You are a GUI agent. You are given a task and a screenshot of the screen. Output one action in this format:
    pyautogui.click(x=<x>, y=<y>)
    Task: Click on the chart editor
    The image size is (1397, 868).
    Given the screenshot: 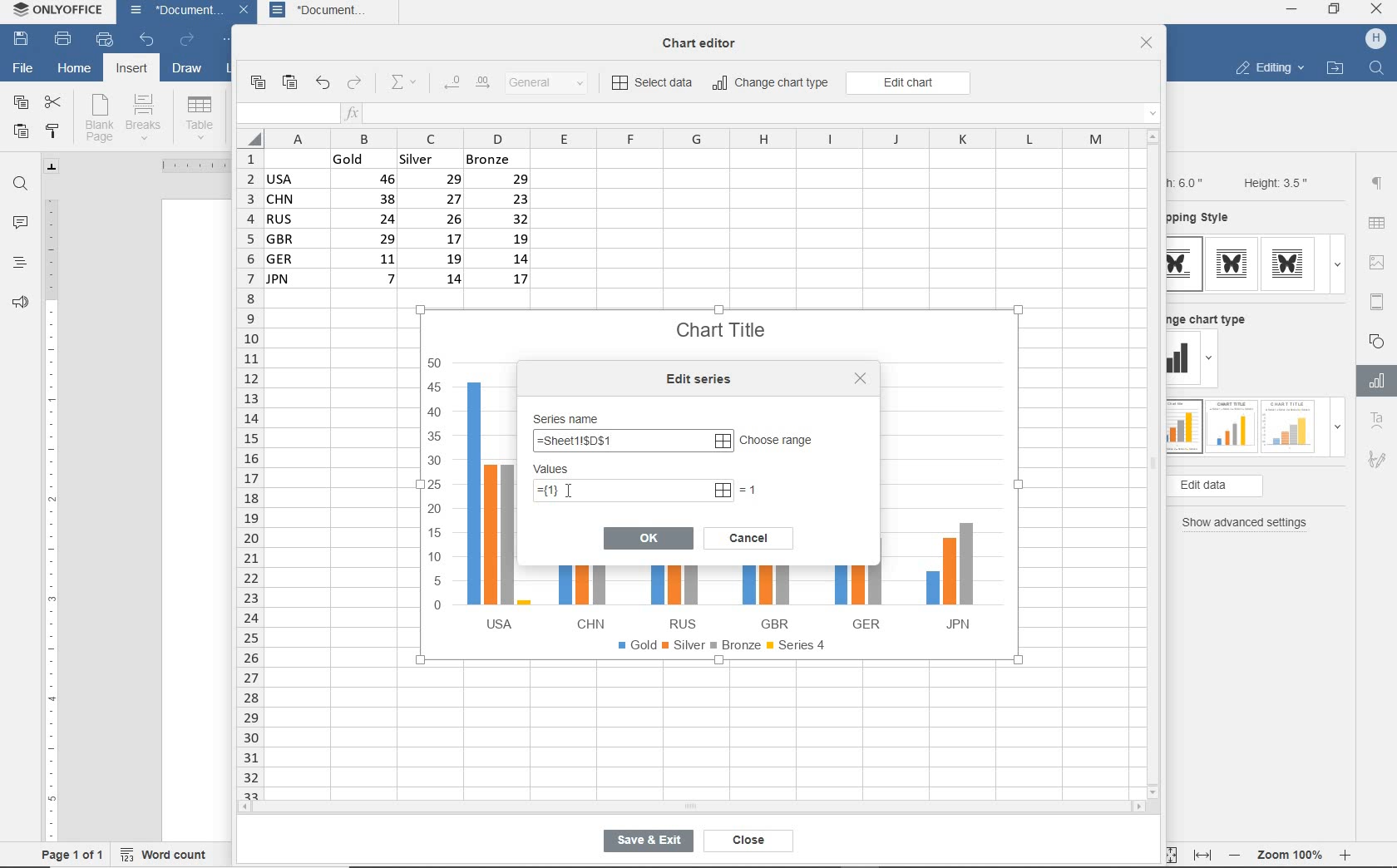 What is the action you would take?
    pyautogui.click(x=705, y=38)
    